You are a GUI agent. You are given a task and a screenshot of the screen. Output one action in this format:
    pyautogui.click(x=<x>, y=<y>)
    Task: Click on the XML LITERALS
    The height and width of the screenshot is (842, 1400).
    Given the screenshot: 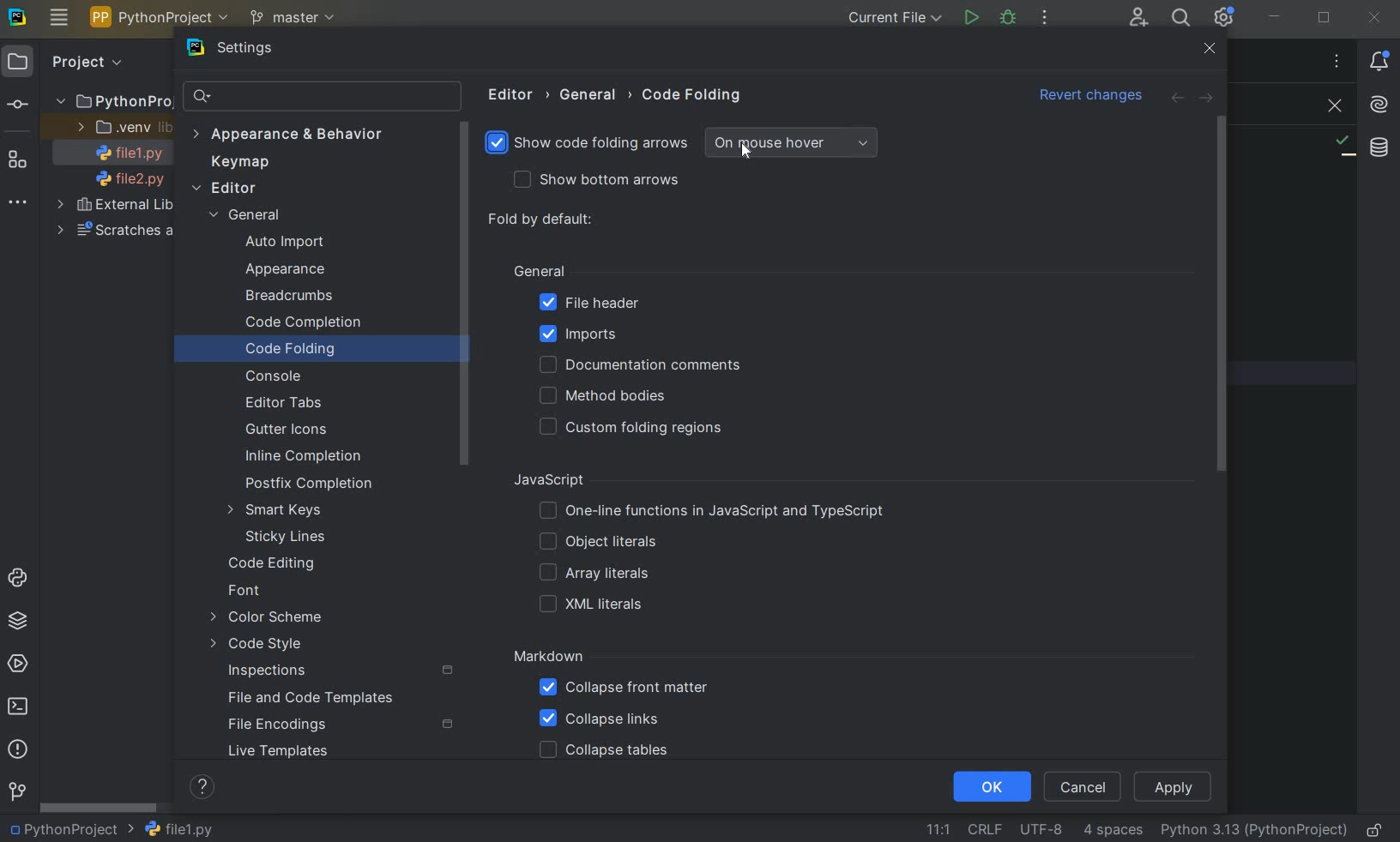 What is the action you would take?
    pyautogui.click(x=594, y=606)
    